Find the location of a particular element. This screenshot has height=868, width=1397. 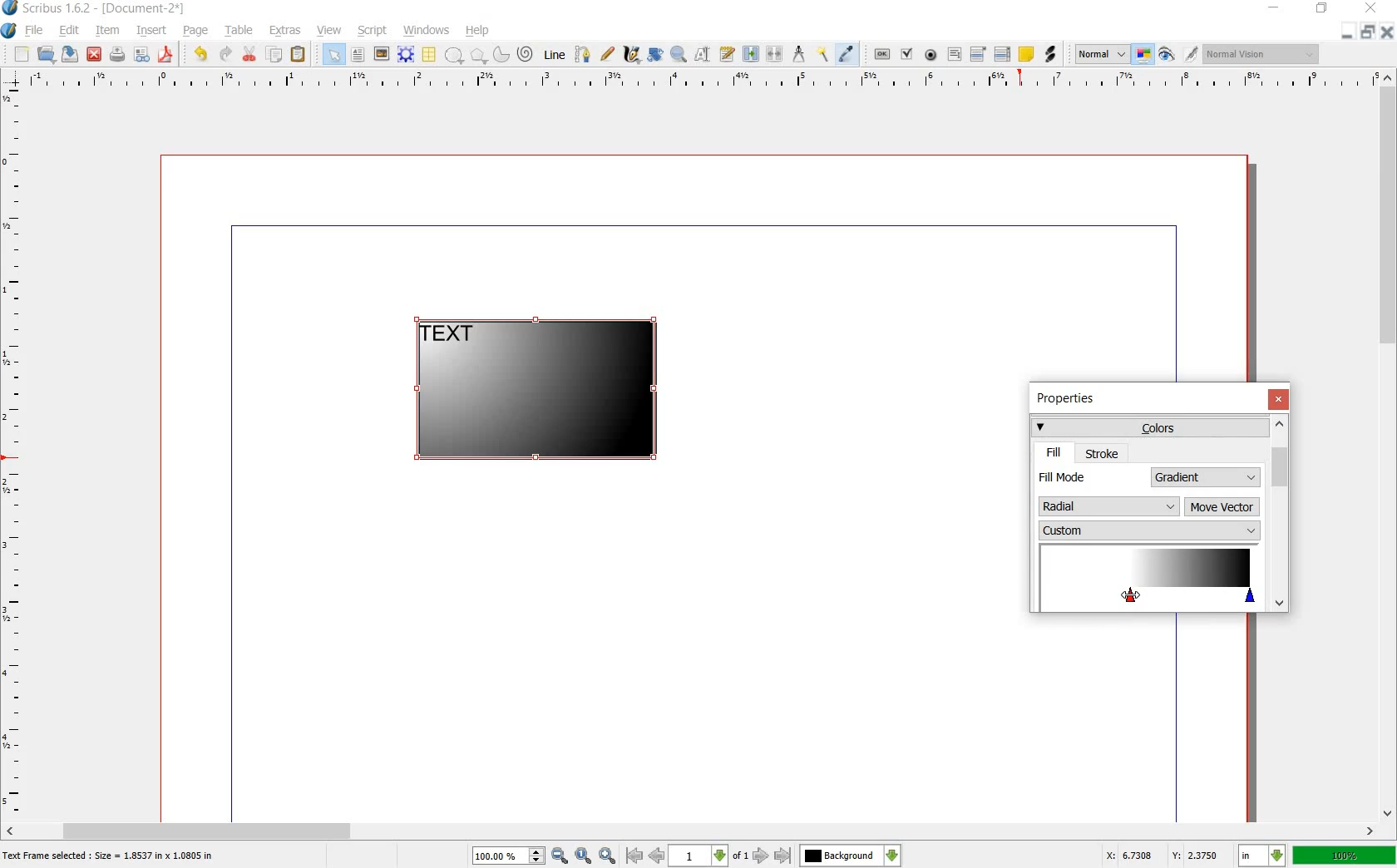

1 is located at coordinates (697, 856).